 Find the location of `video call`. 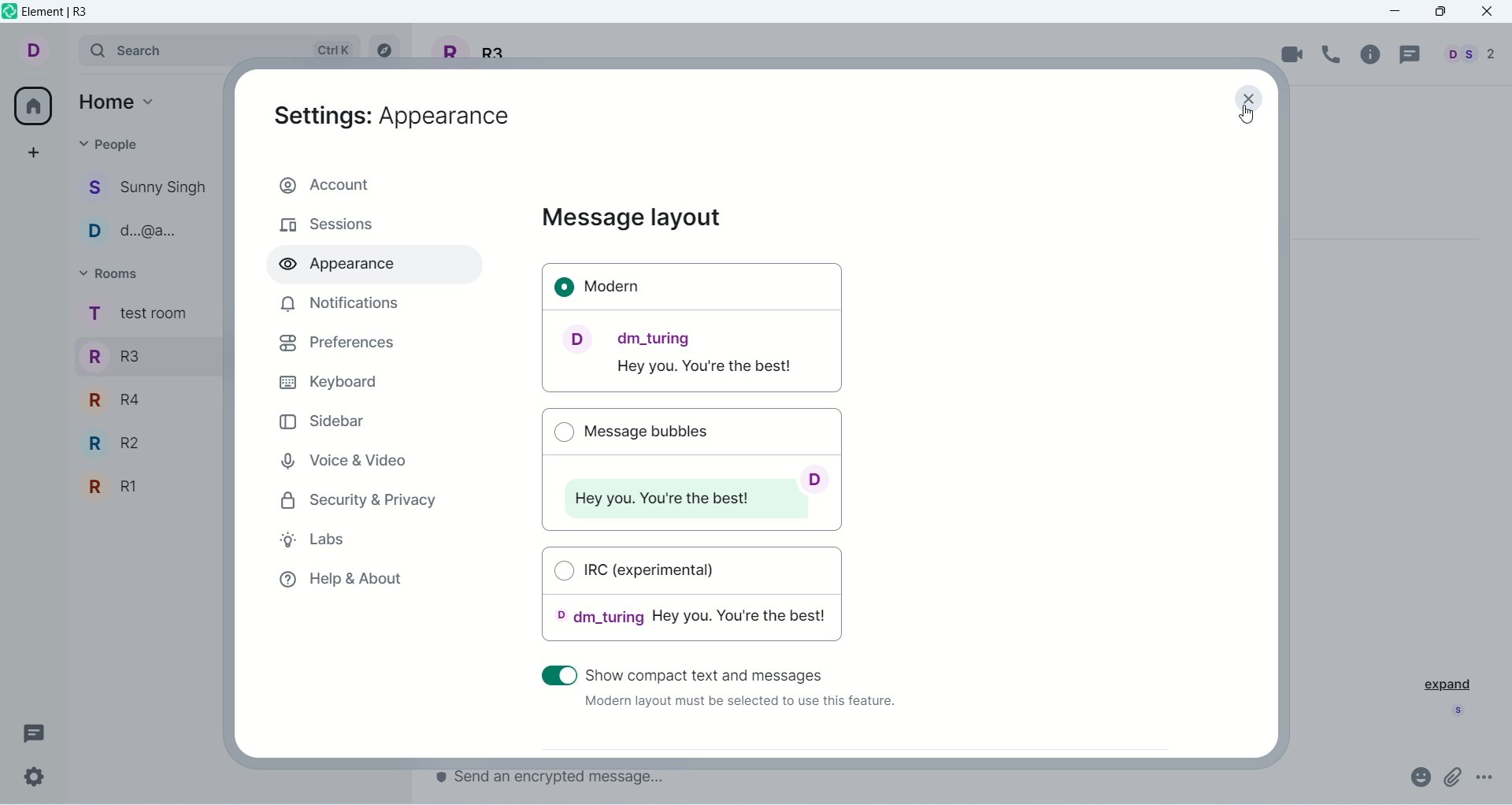

video call is located at coordinates (1293, 54).